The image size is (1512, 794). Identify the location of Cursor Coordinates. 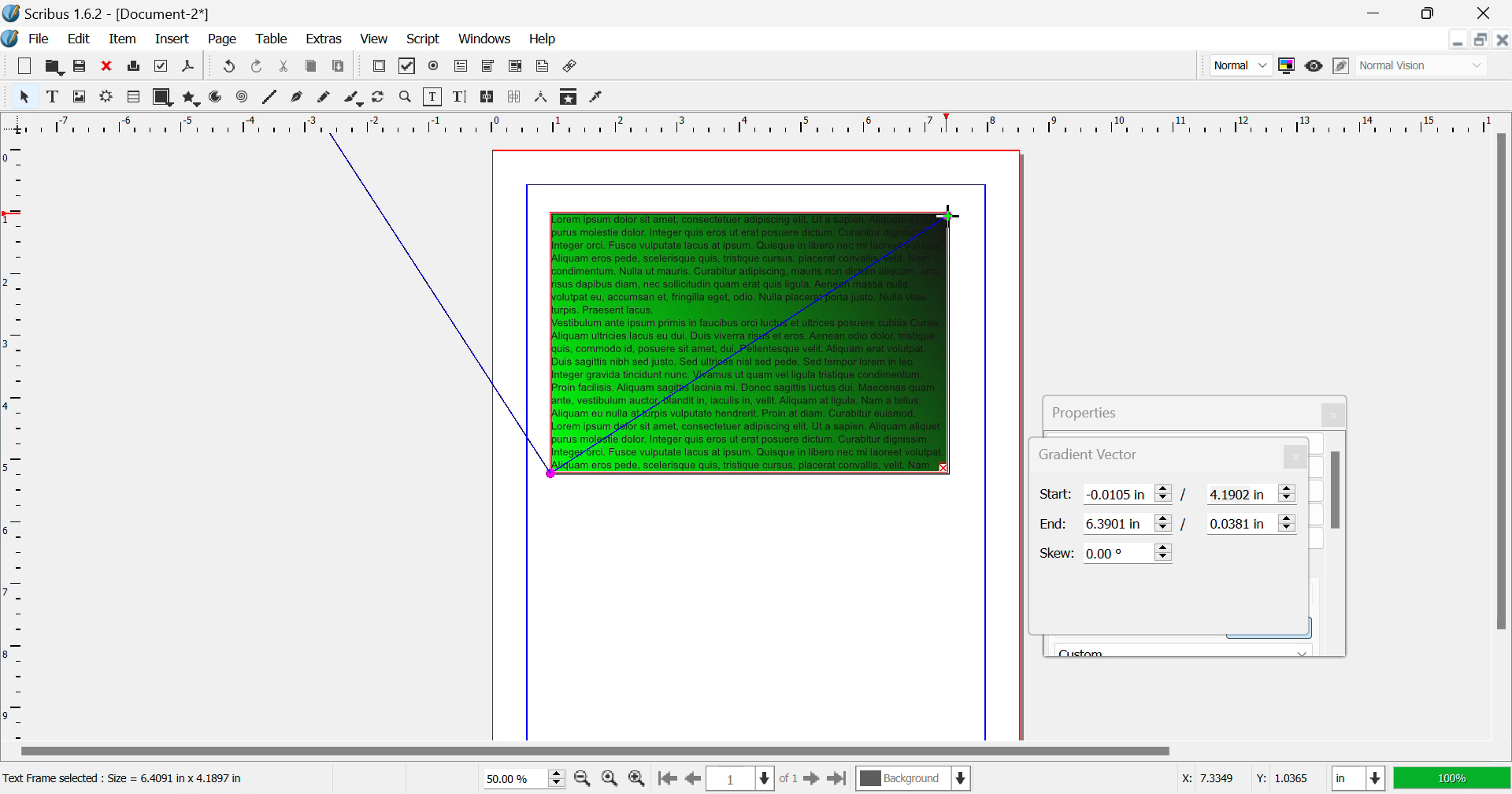
(1244, 779).